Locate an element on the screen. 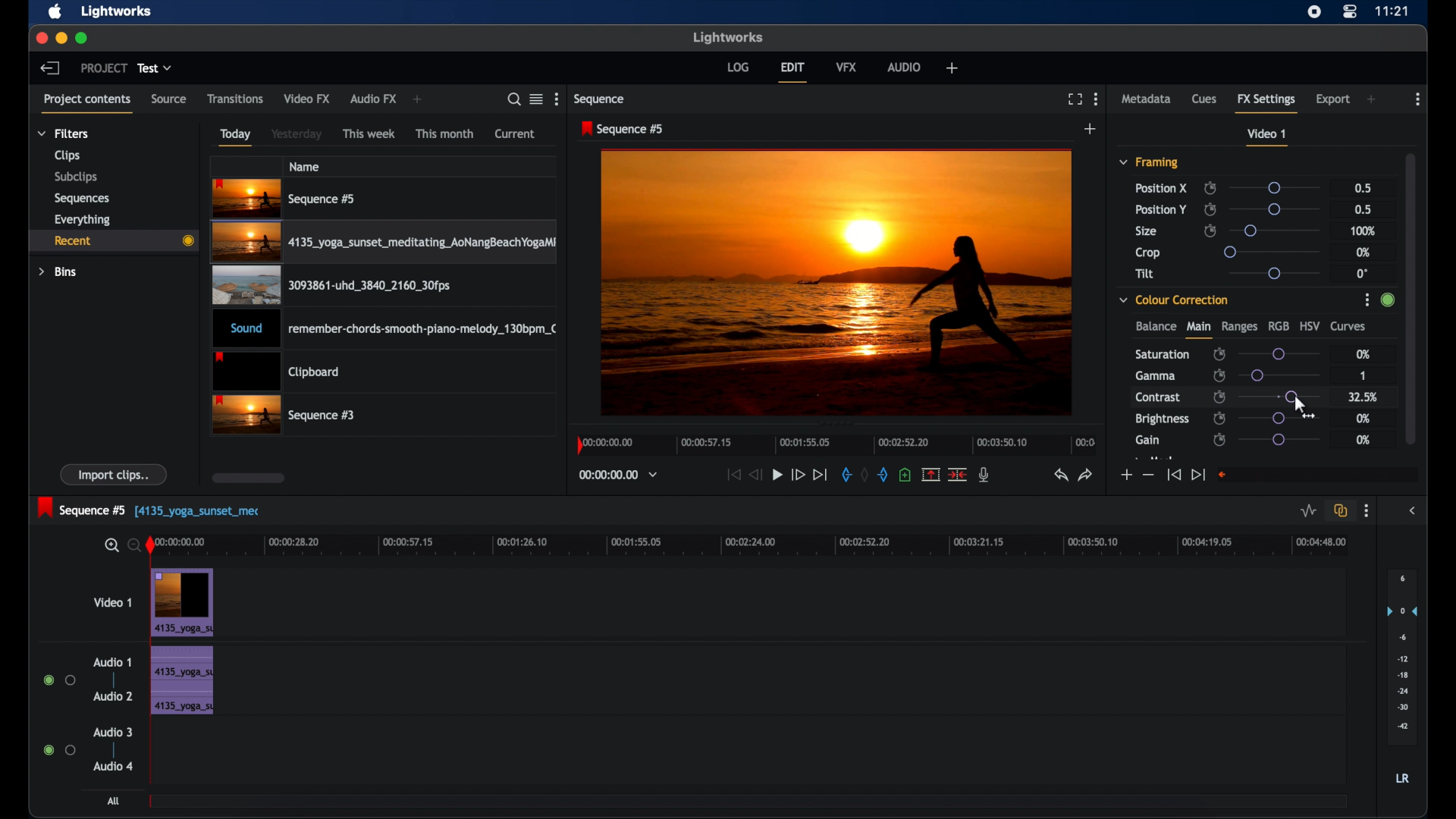 The width and height of the screenshot is (1456, 819). log is located at coordinates (737, 66).